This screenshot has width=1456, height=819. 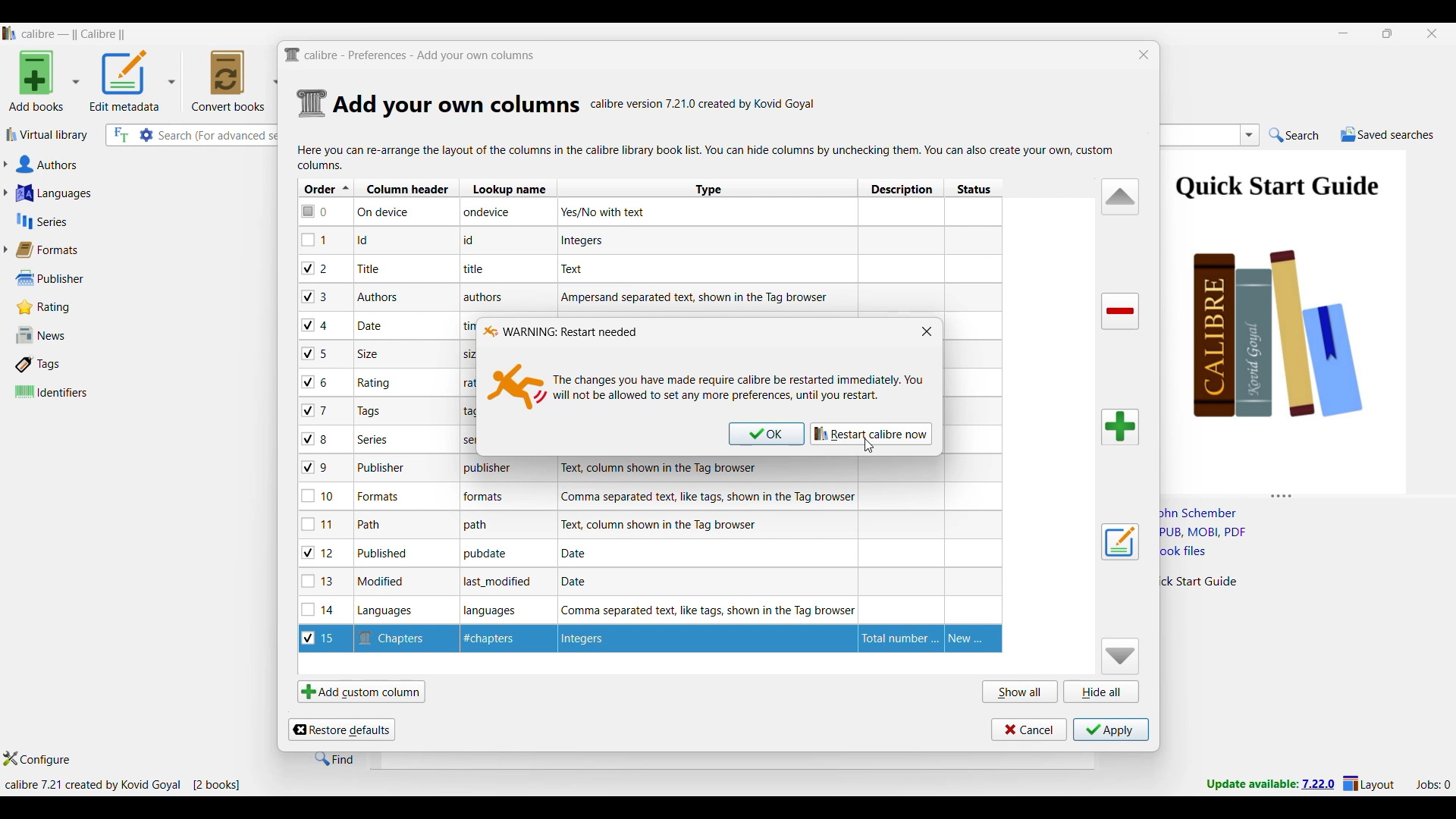 What do you see at coordinates (708, 188) in the screenshot?
I see `Type column` at bounding box center [708, 188].